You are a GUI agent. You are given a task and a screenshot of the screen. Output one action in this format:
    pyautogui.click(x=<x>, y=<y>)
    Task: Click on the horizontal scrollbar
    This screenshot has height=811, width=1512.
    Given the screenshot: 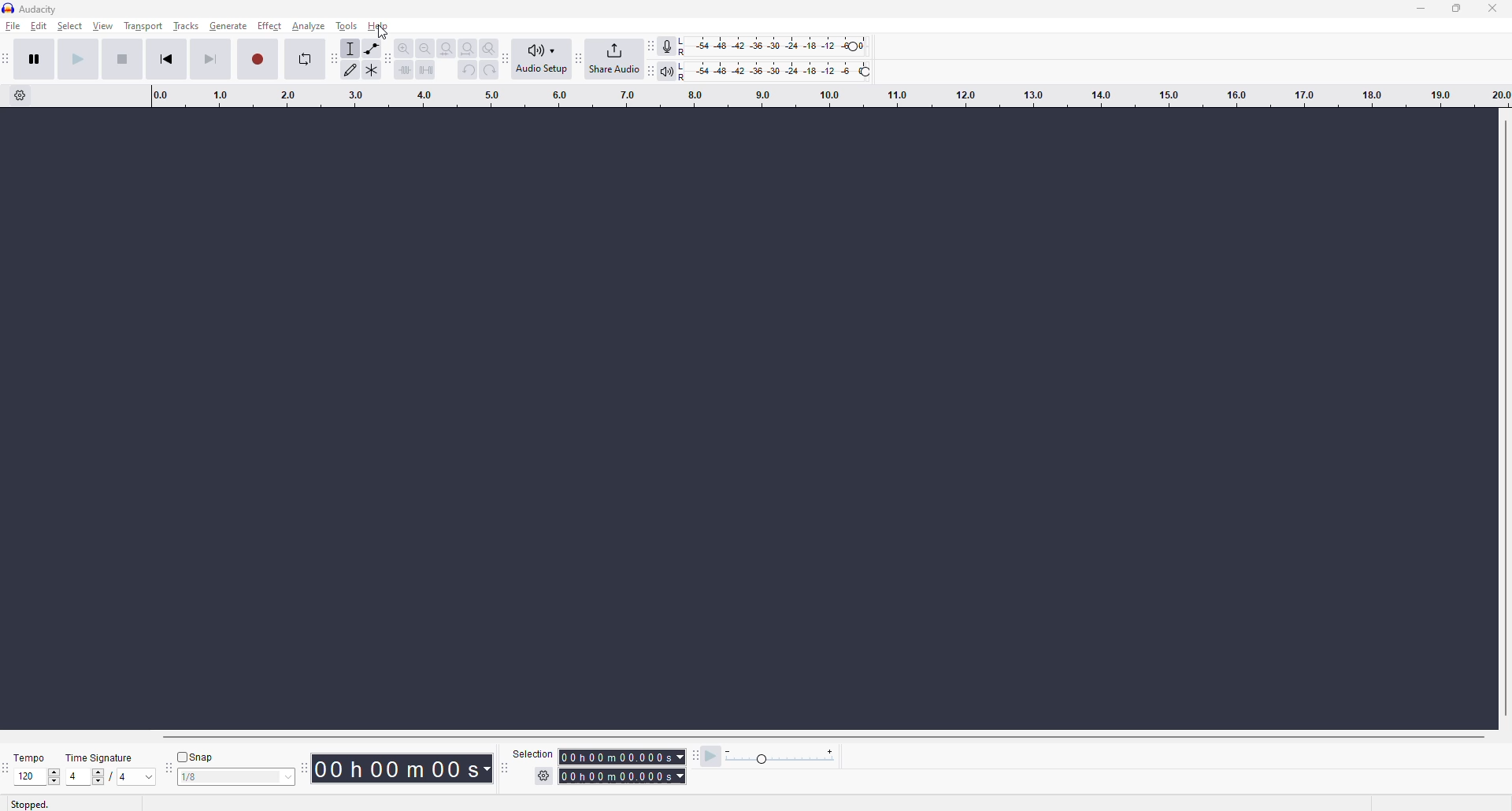 What is the action you would take?
    pyautogui.click(x=824, y=734)
    